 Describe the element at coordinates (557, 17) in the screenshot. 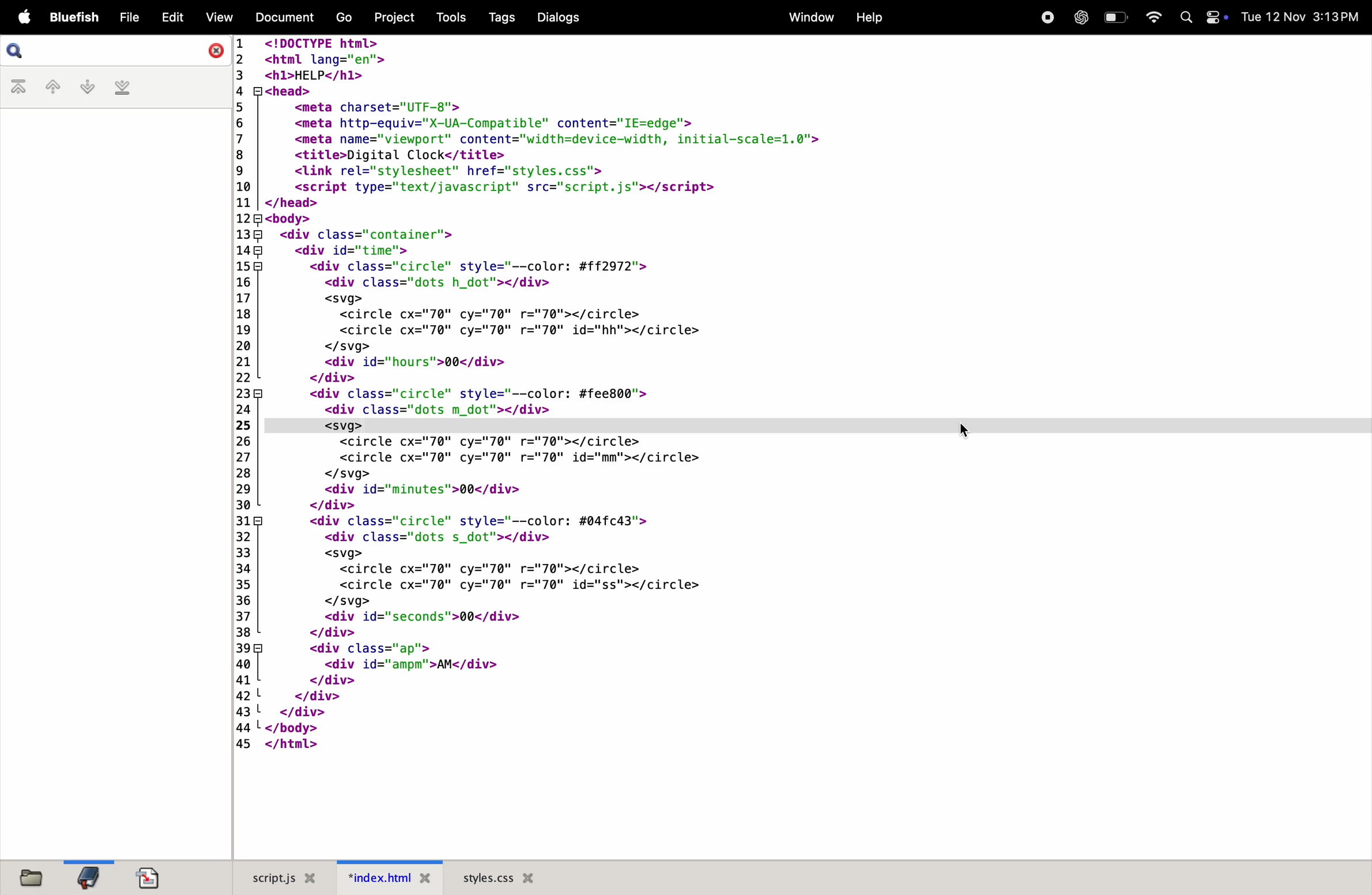

I see `dialogs` at that location.